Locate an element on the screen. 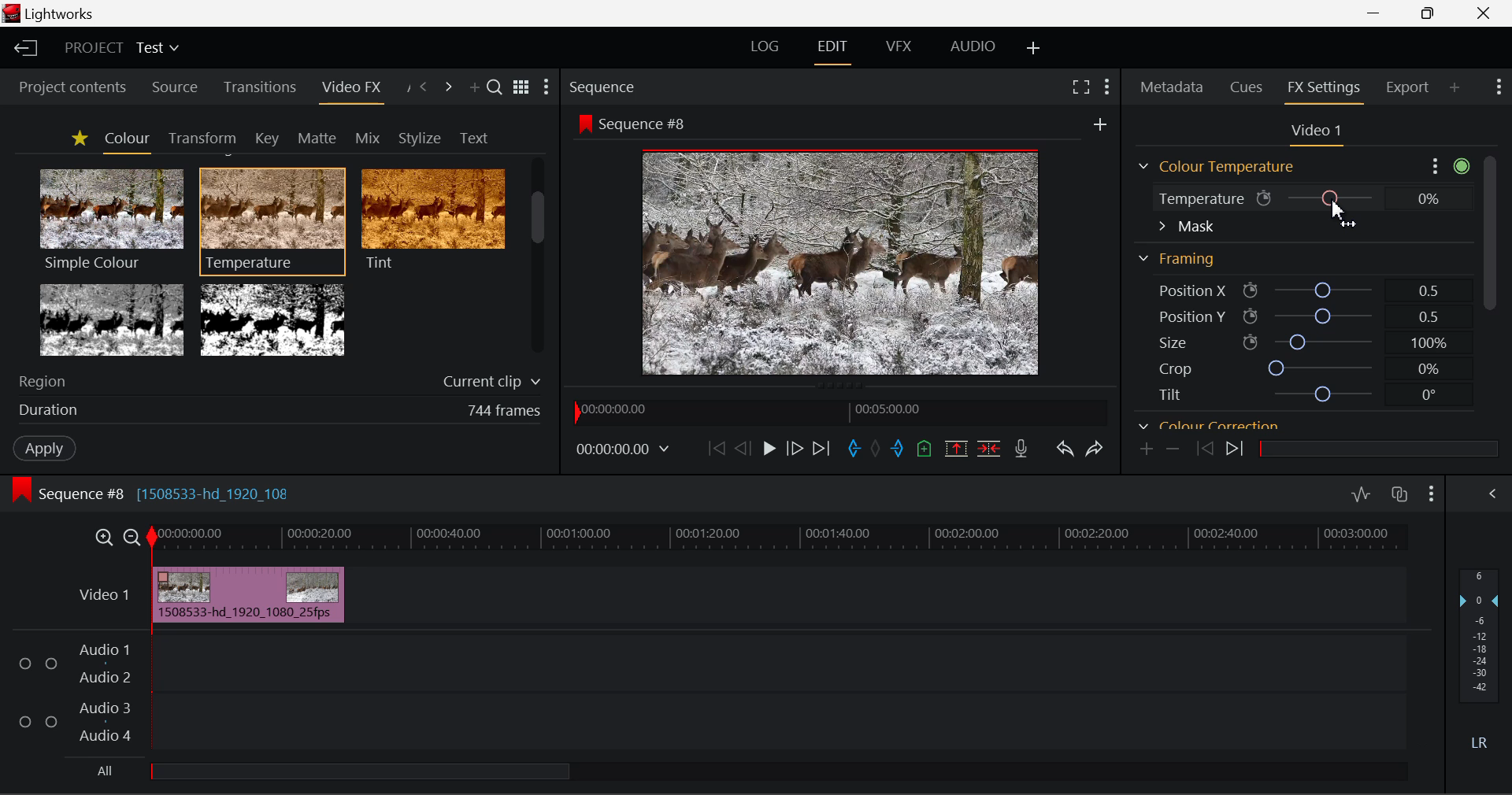 Image resolution: width=1512 pixels, height=795 pixels. 00:00:00.00 is located at coordinates (617, 410).